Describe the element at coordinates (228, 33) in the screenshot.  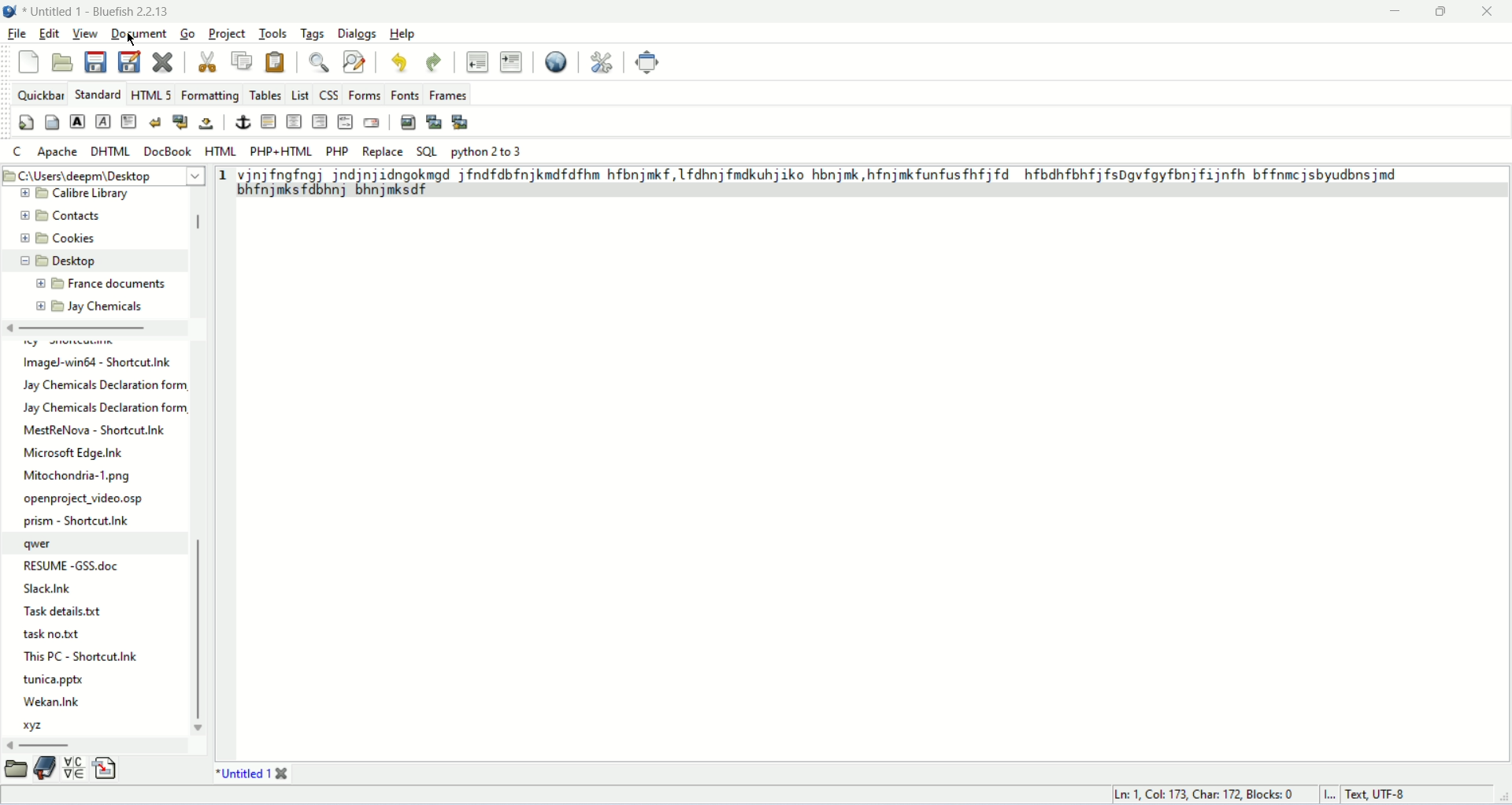
I see `project` at that location.